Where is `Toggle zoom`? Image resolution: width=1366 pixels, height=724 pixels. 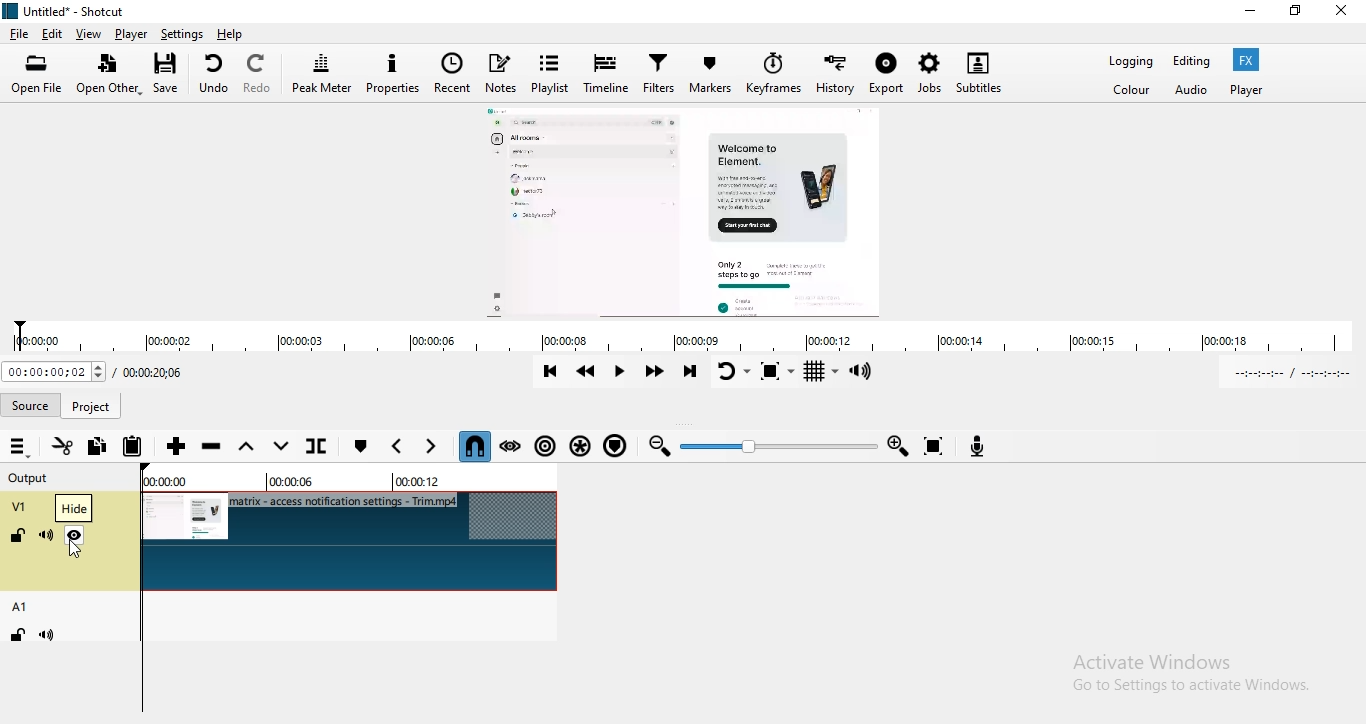
Toggle zoom is located at coordinates (773, 373).